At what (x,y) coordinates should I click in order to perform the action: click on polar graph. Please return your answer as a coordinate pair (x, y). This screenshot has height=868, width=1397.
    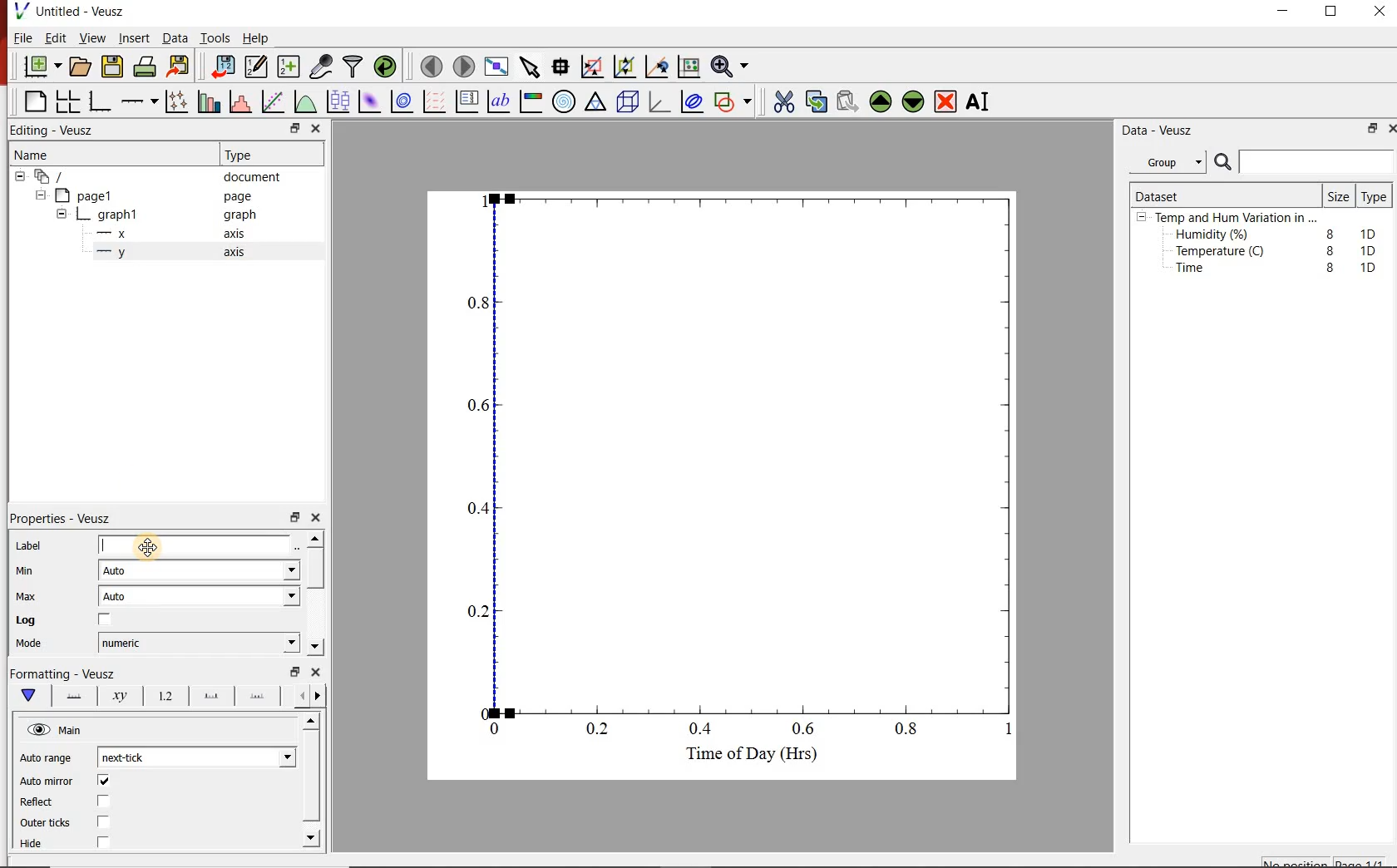
    Looking at the image, I should click on (565, 103).